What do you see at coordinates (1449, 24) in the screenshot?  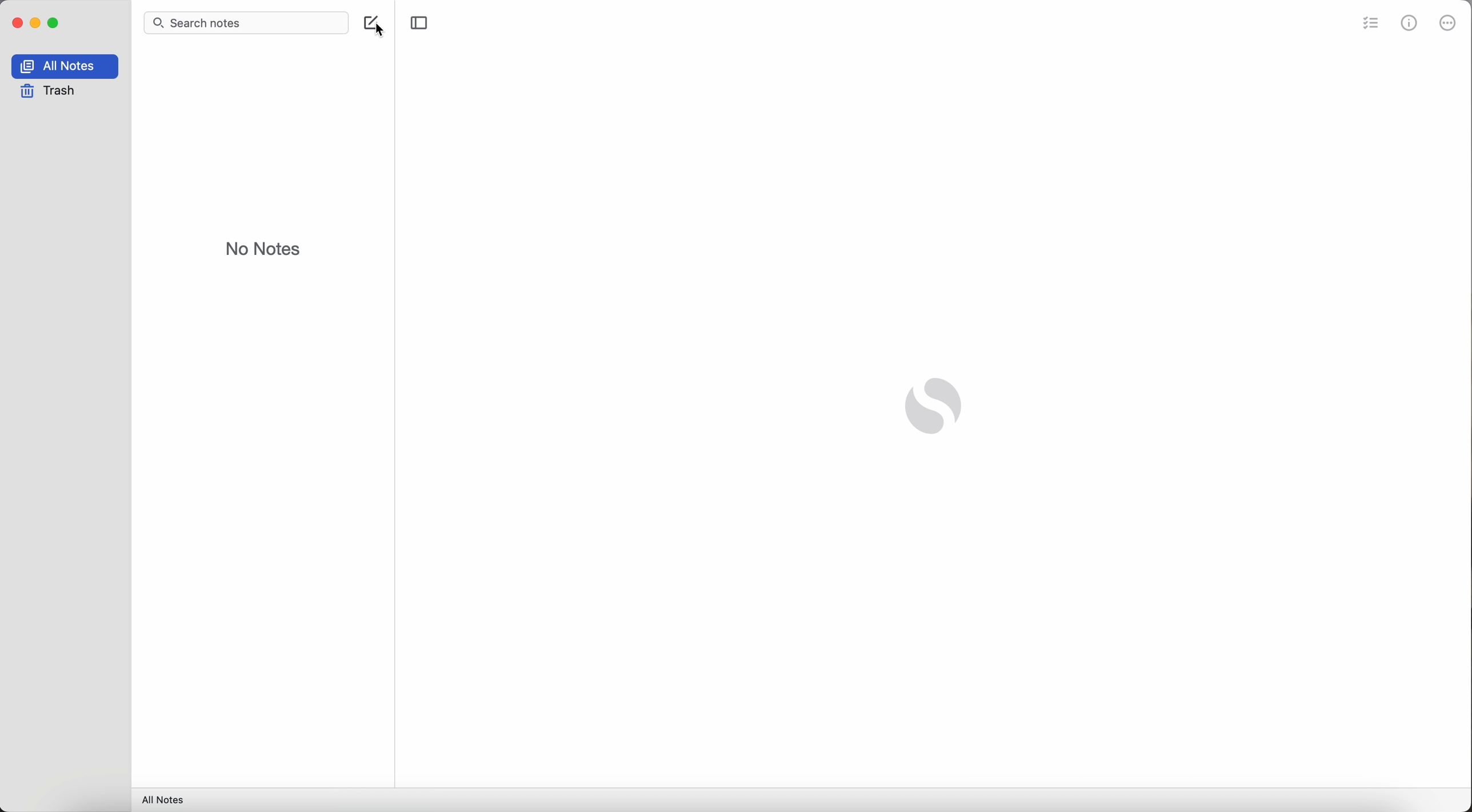 I see `more options` at bounding box center [1449, 24].